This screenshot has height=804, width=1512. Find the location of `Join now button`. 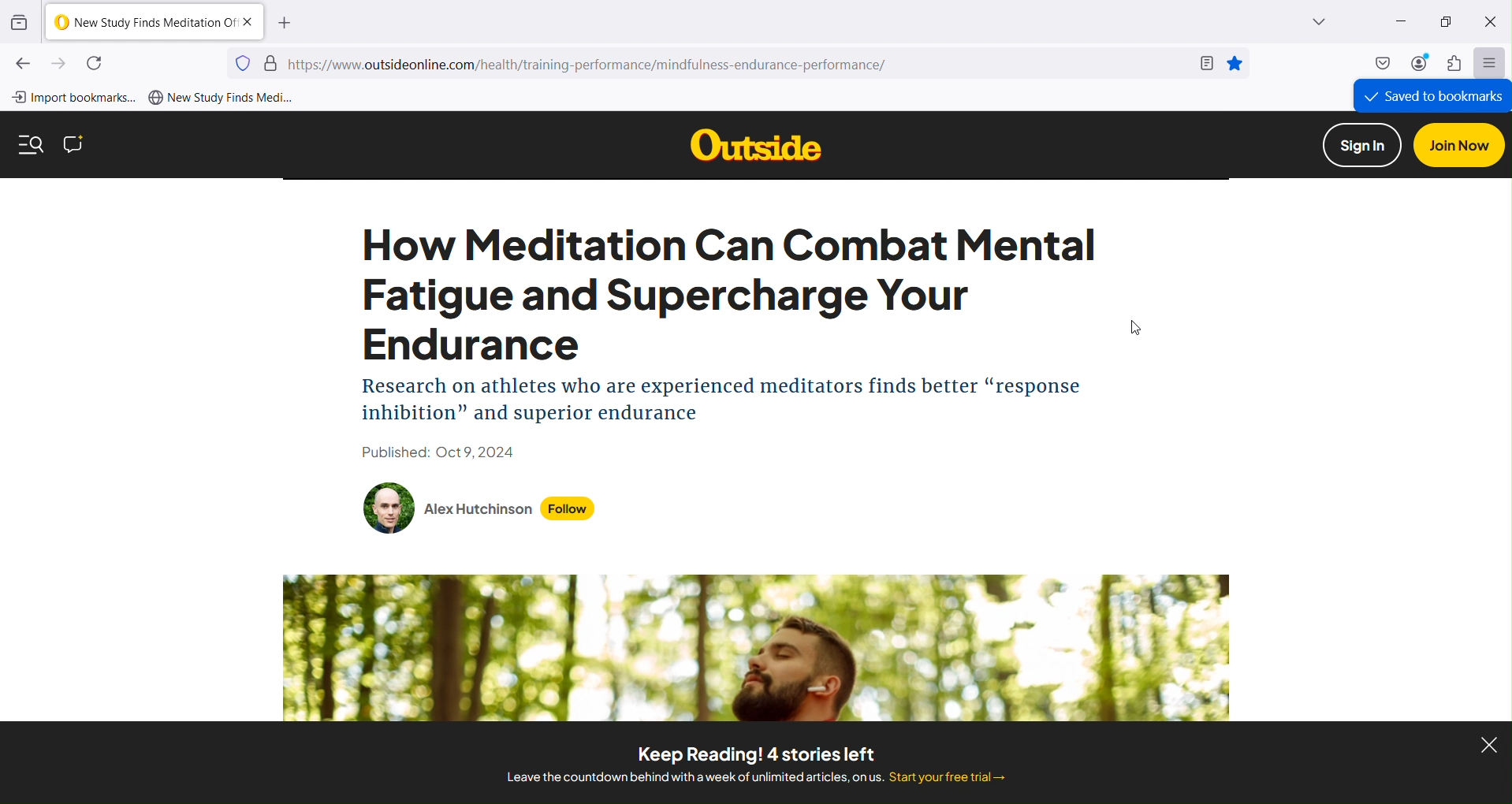

Join now button is located at coordinates (1458, 145).